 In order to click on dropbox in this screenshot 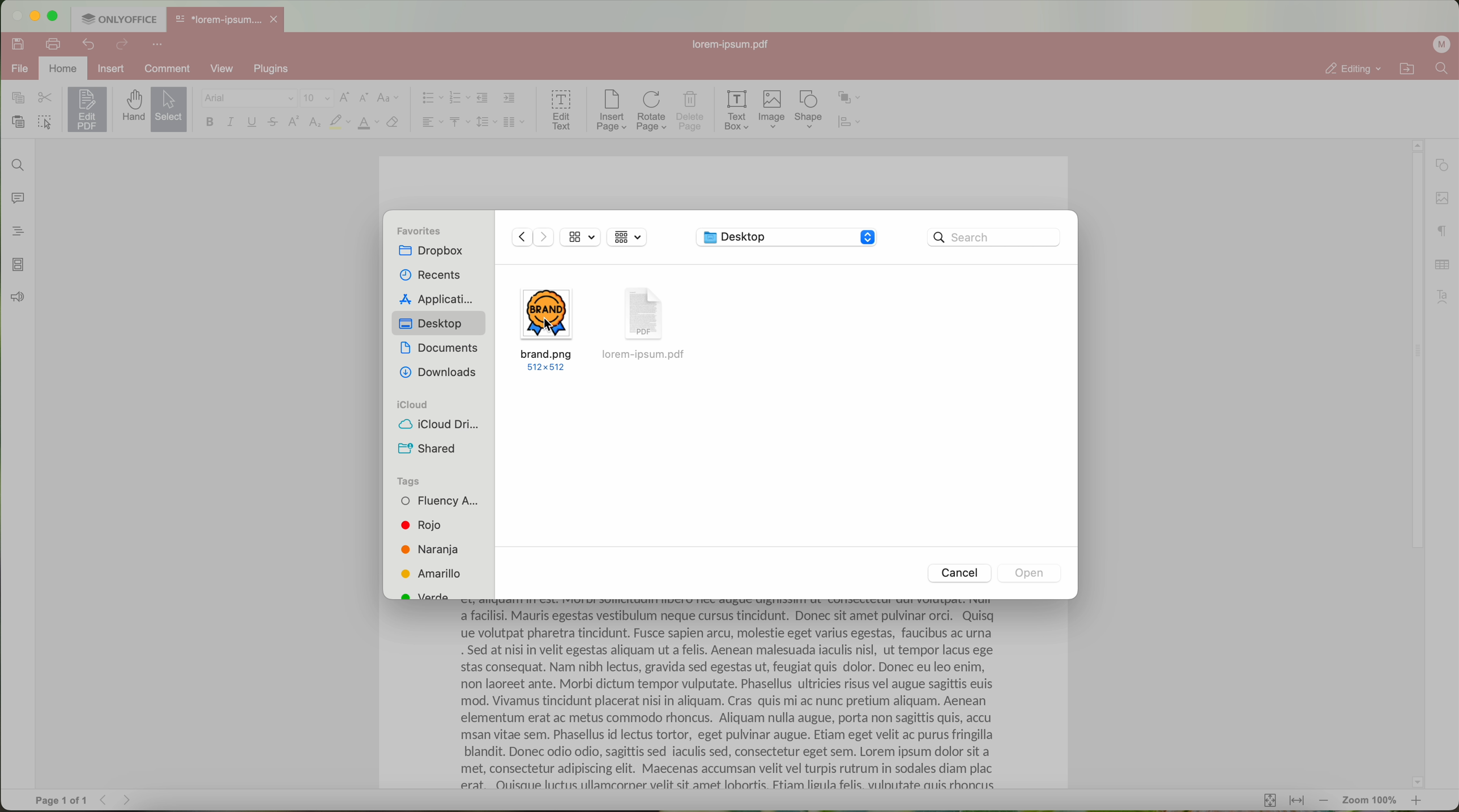, I will do `click(431, 251)`.